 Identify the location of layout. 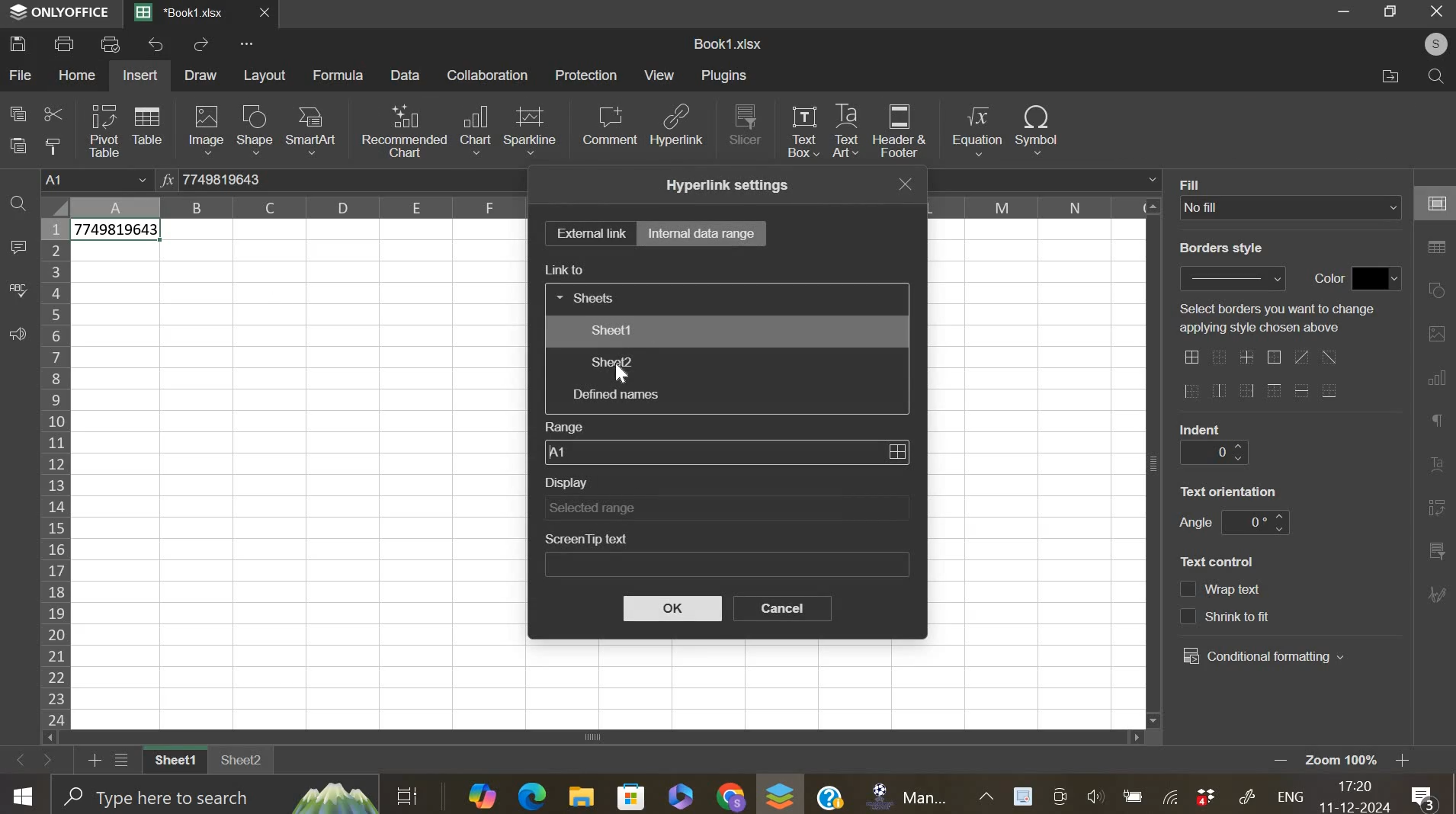
(266, 75).